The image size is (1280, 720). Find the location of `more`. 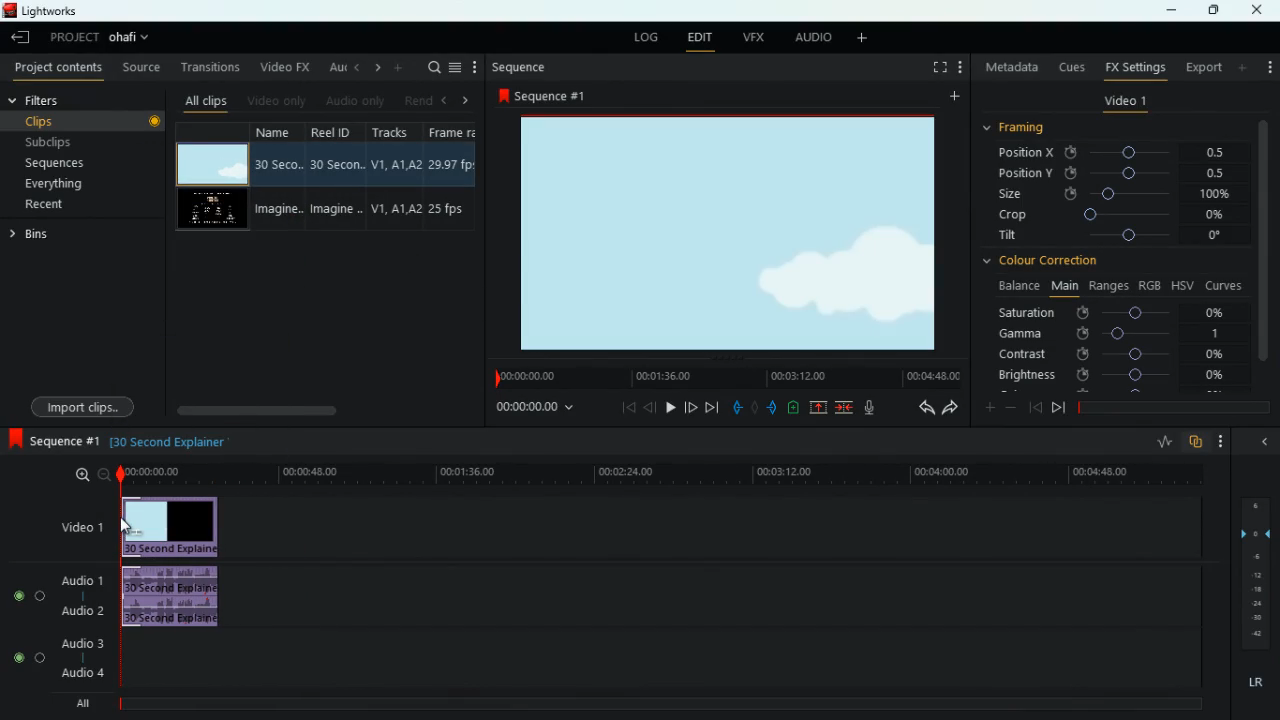

more is located at coordinates (477, 66).